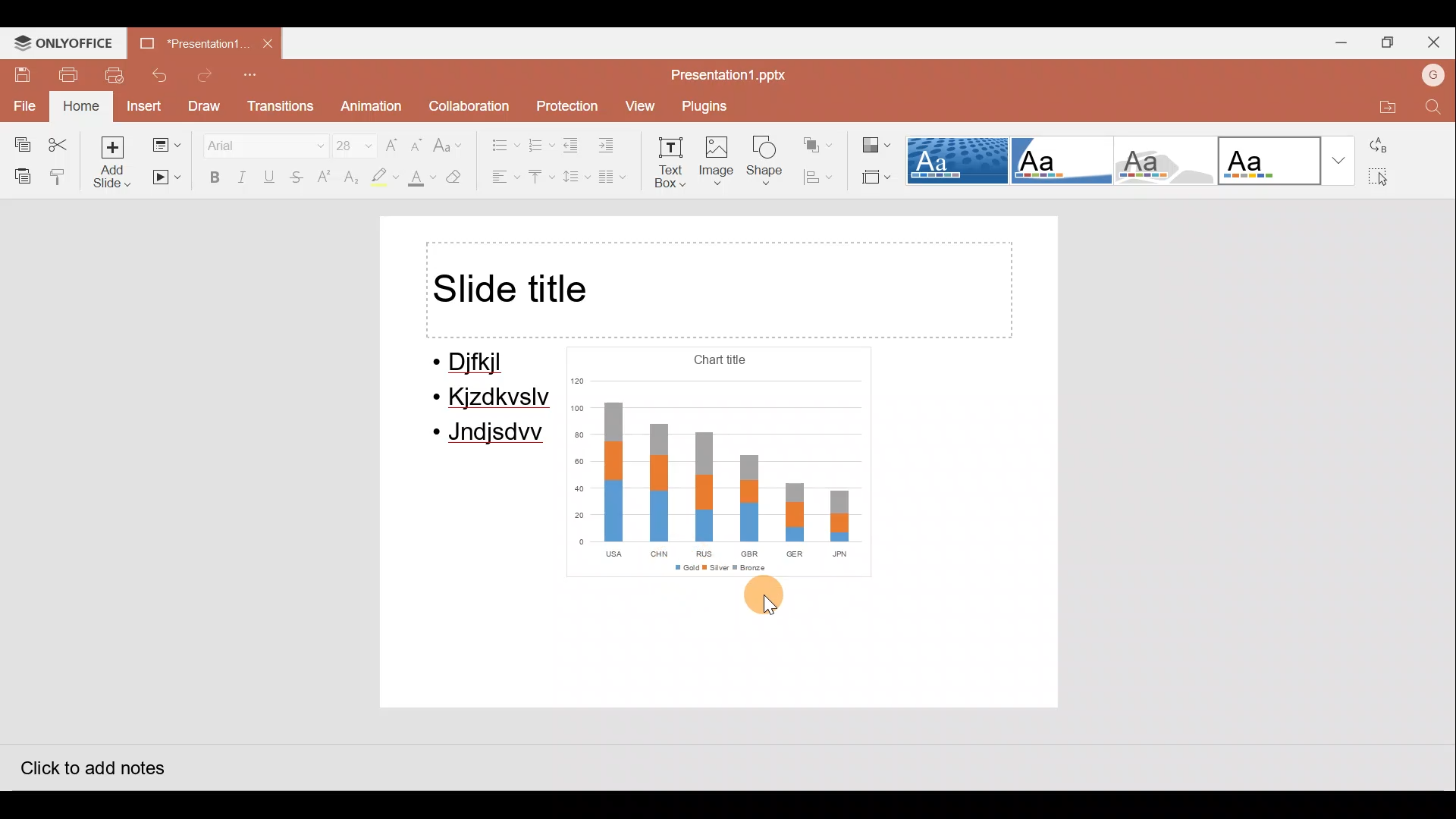 This screenshot has width=1456, height=819. I want to click on Draw, so click(206, 106).